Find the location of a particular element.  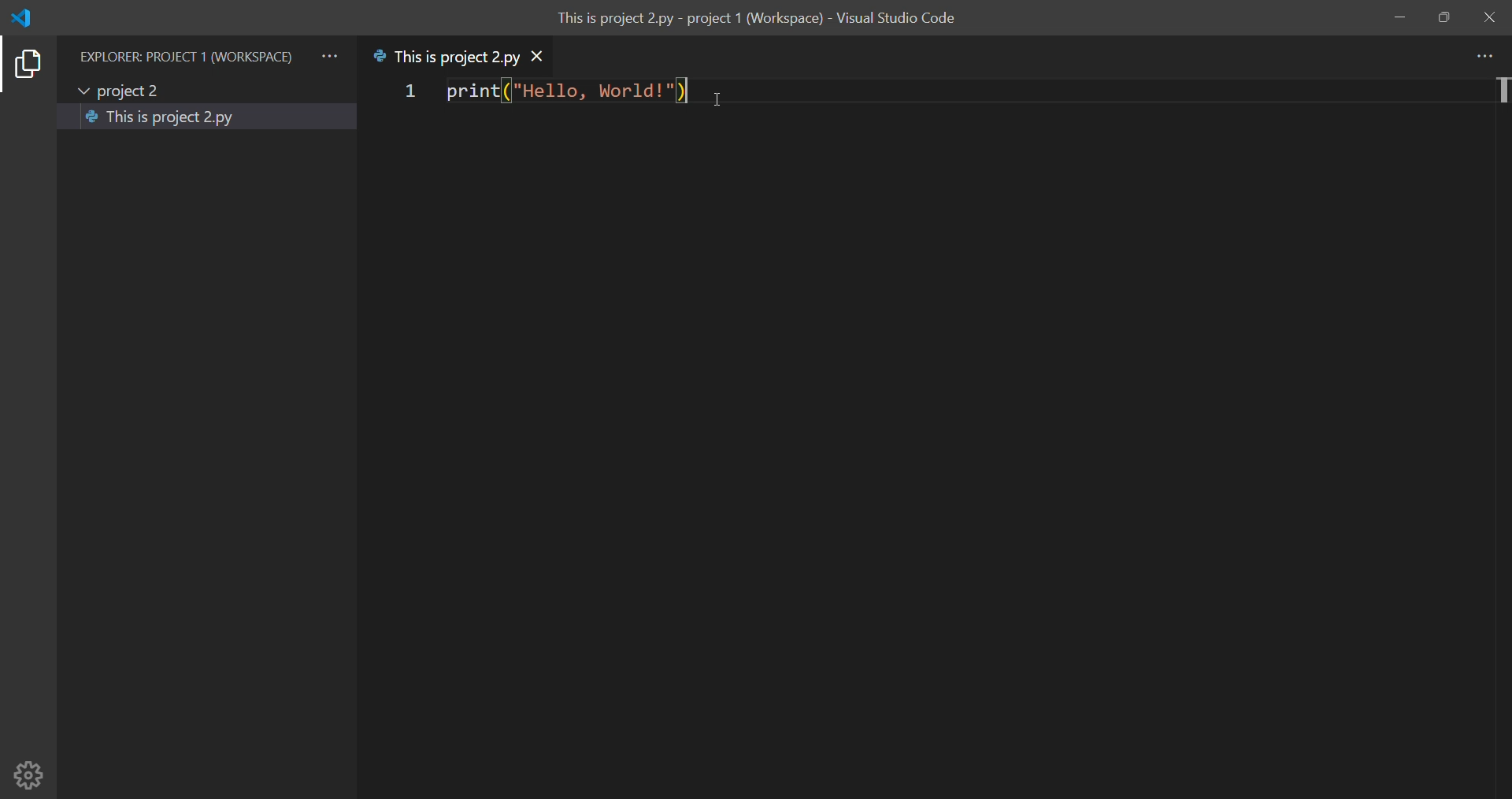

more is located at coordinates (332, 50).